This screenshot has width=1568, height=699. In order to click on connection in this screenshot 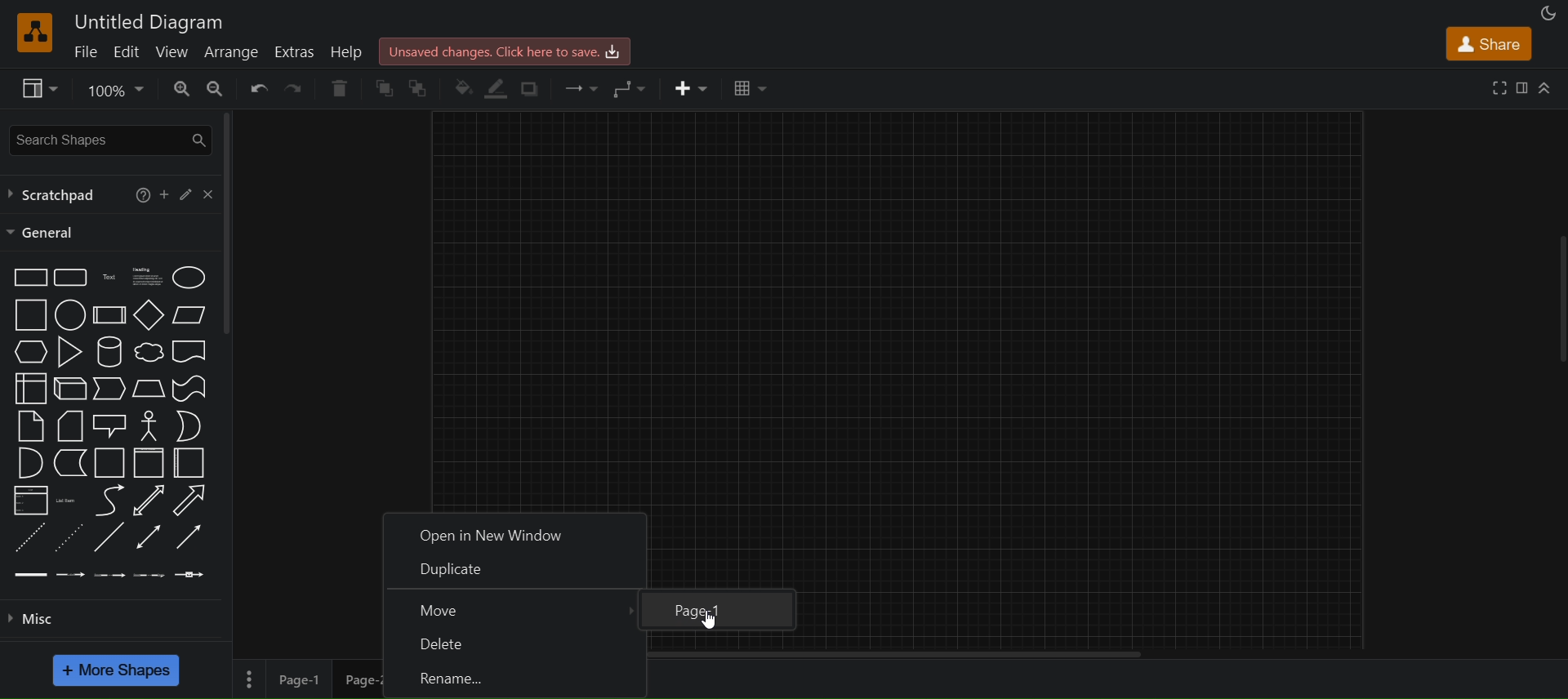, I will do `click(581, 87)`.